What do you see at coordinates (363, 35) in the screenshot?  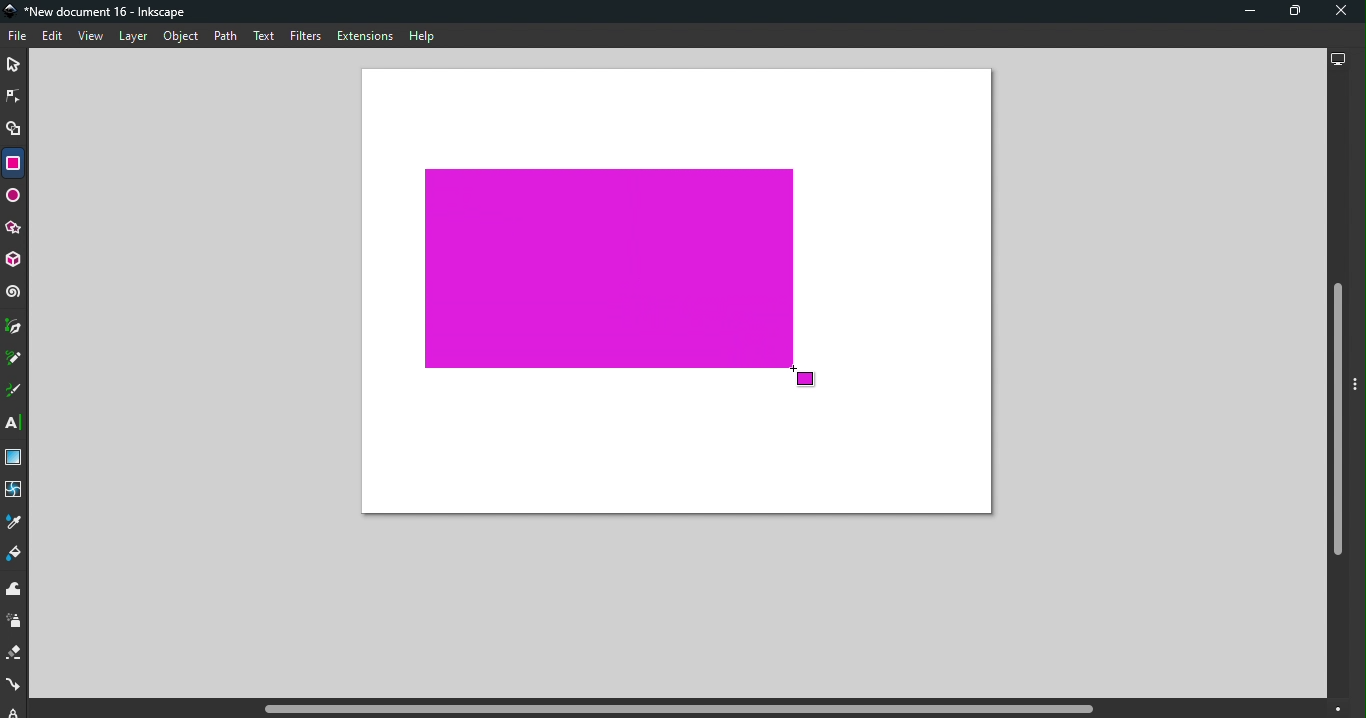 I see `Extensions` at bounding box center [363, 35].